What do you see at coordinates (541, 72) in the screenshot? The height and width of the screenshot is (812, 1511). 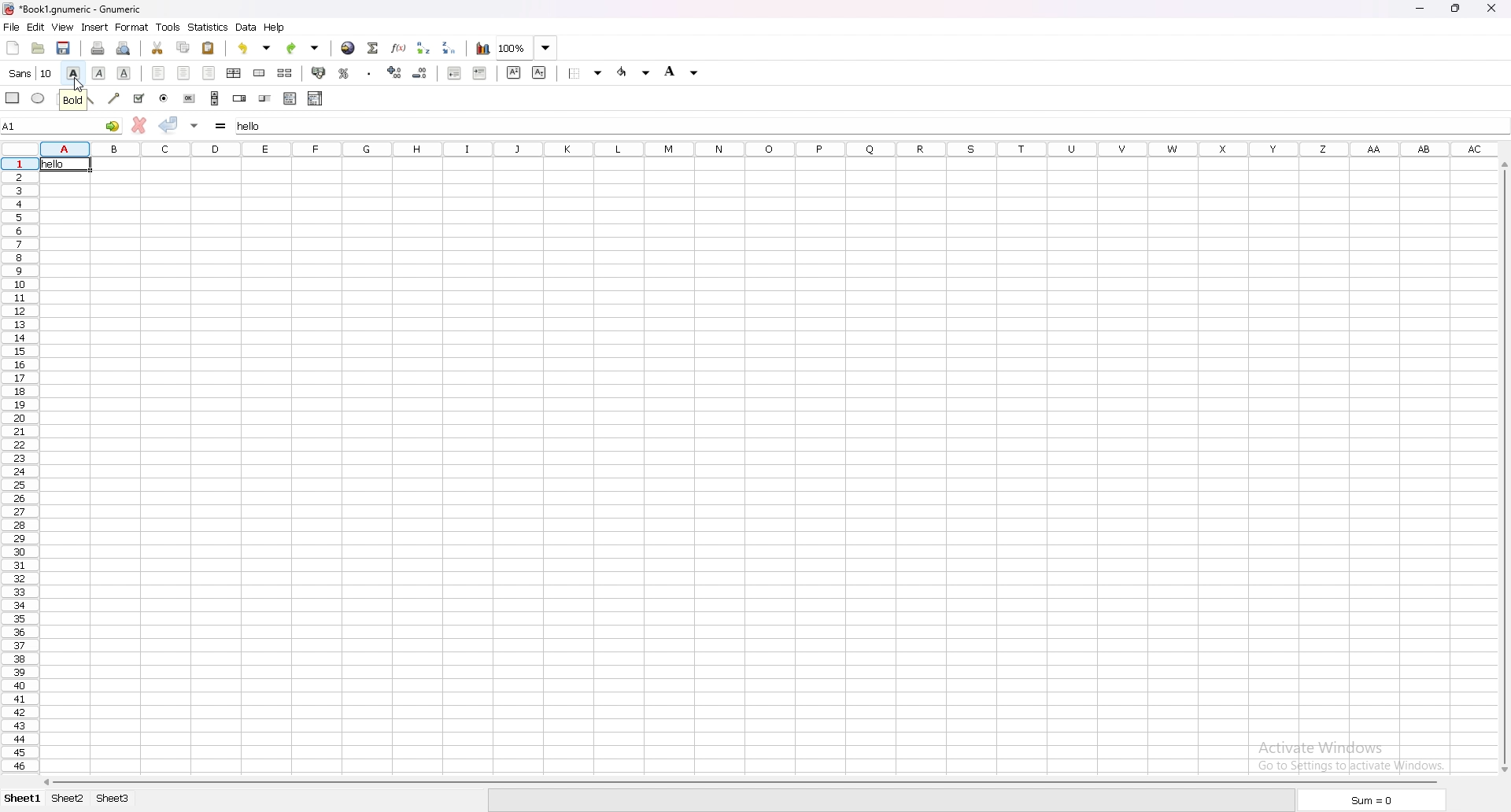 I see `subscript` at bounding box center [541, 72].